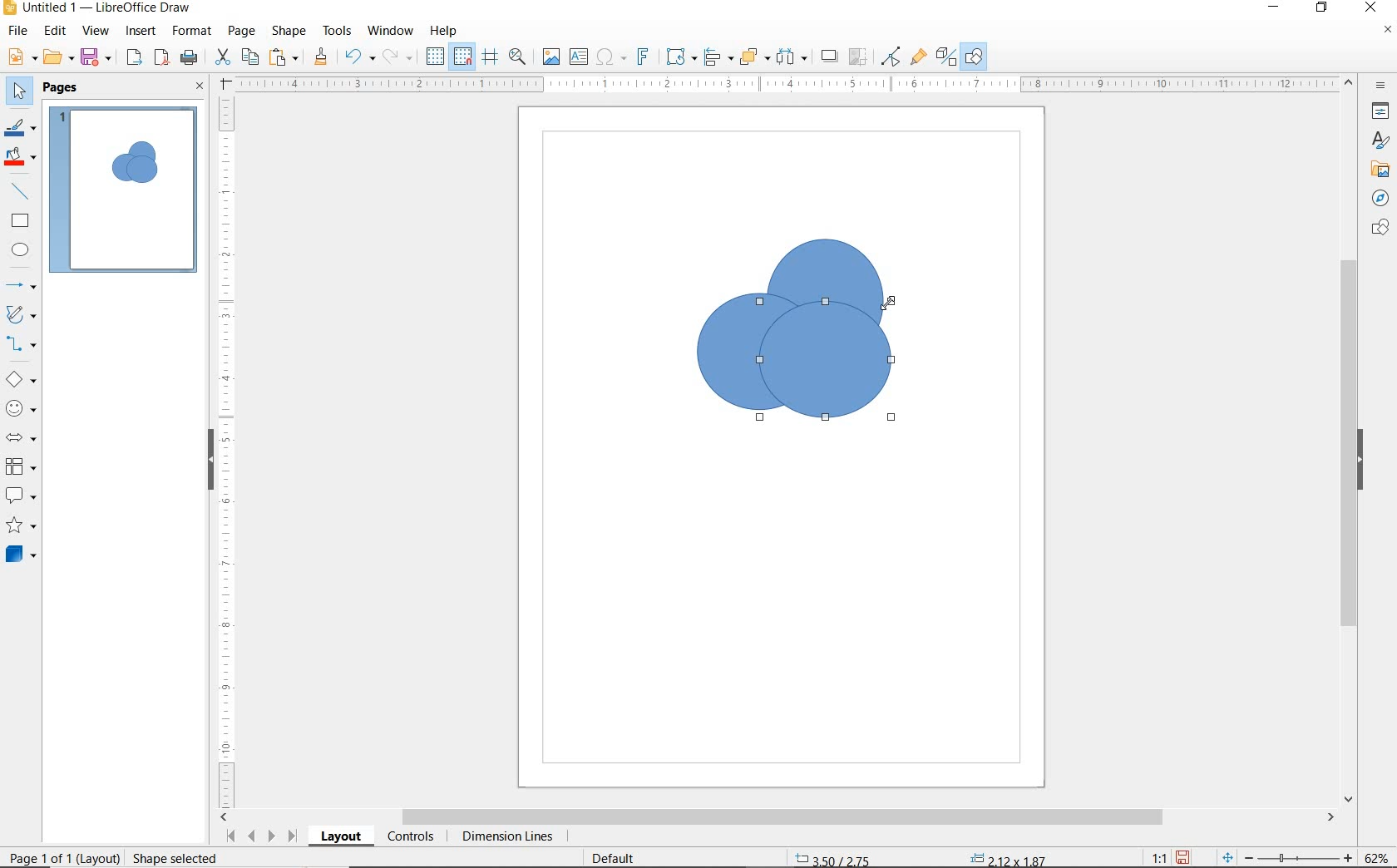 This screenshot has width=1397, height=868. I want to click on DEFAULT, so click(619, 856).